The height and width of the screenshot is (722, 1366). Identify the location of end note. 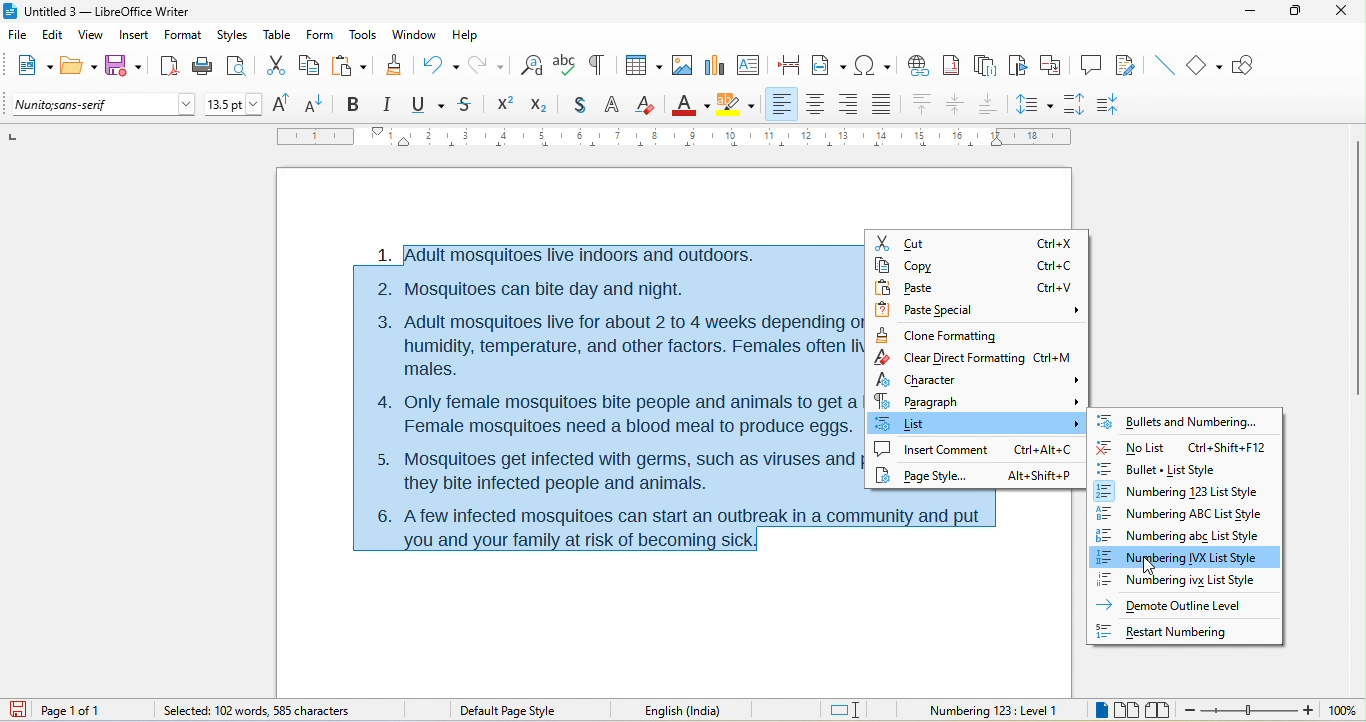
(984, 65).